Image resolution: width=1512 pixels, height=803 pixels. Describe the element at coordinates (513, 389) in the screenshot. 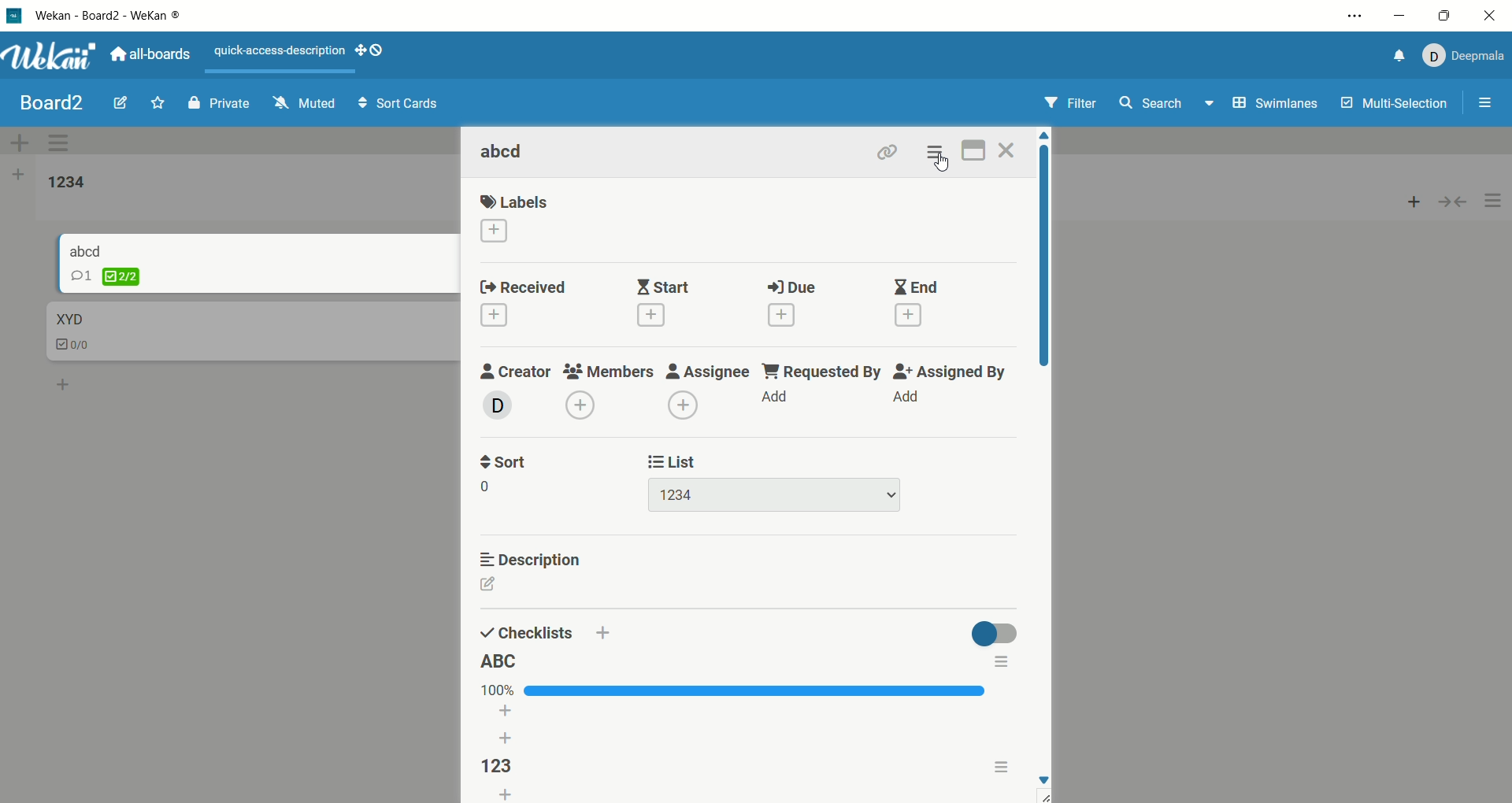

I see `creator` at that location.